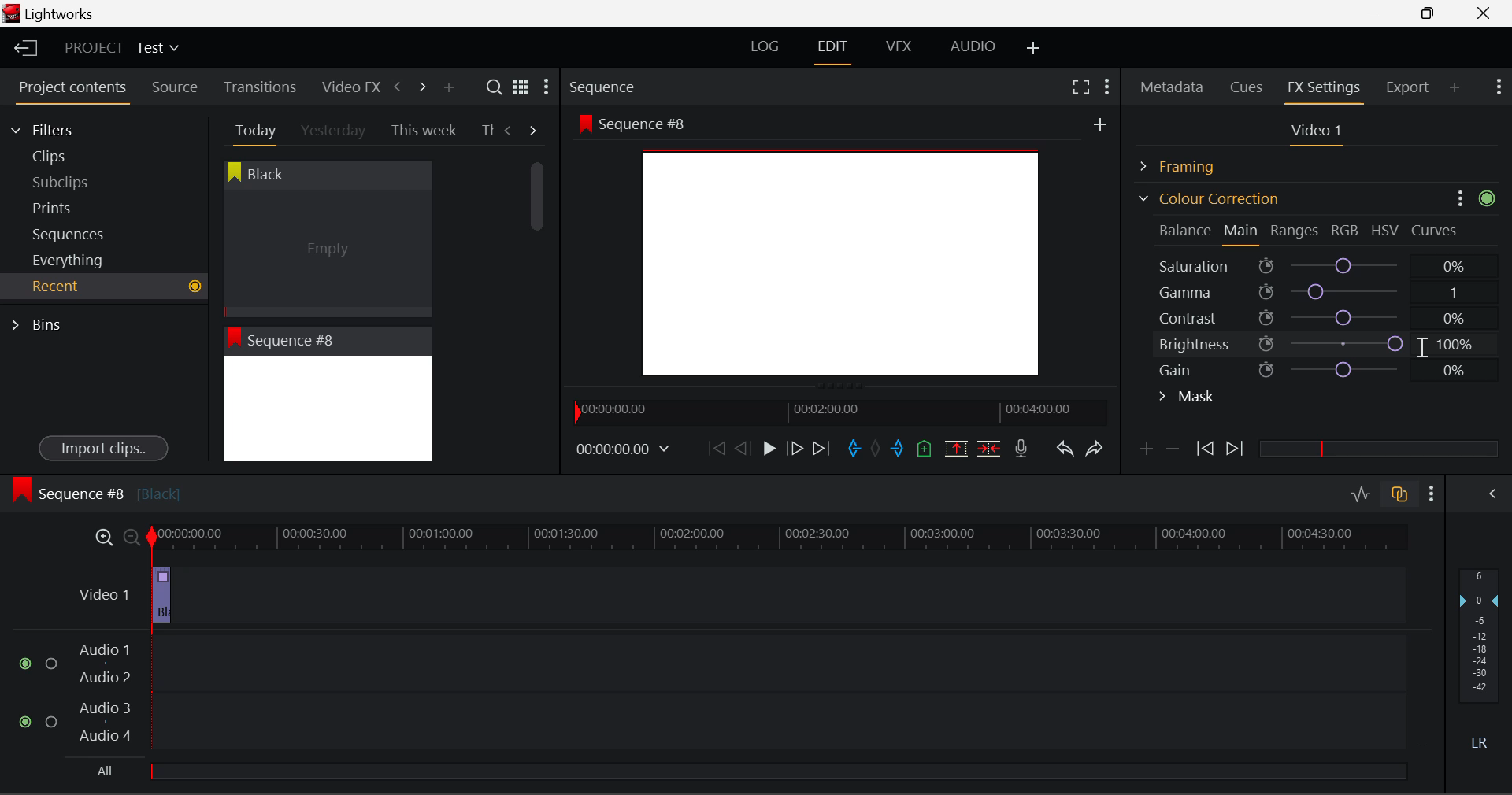 The width and height of the screenshot is (1512, 795). I want to click on Sequence #8, so click(95, 490).